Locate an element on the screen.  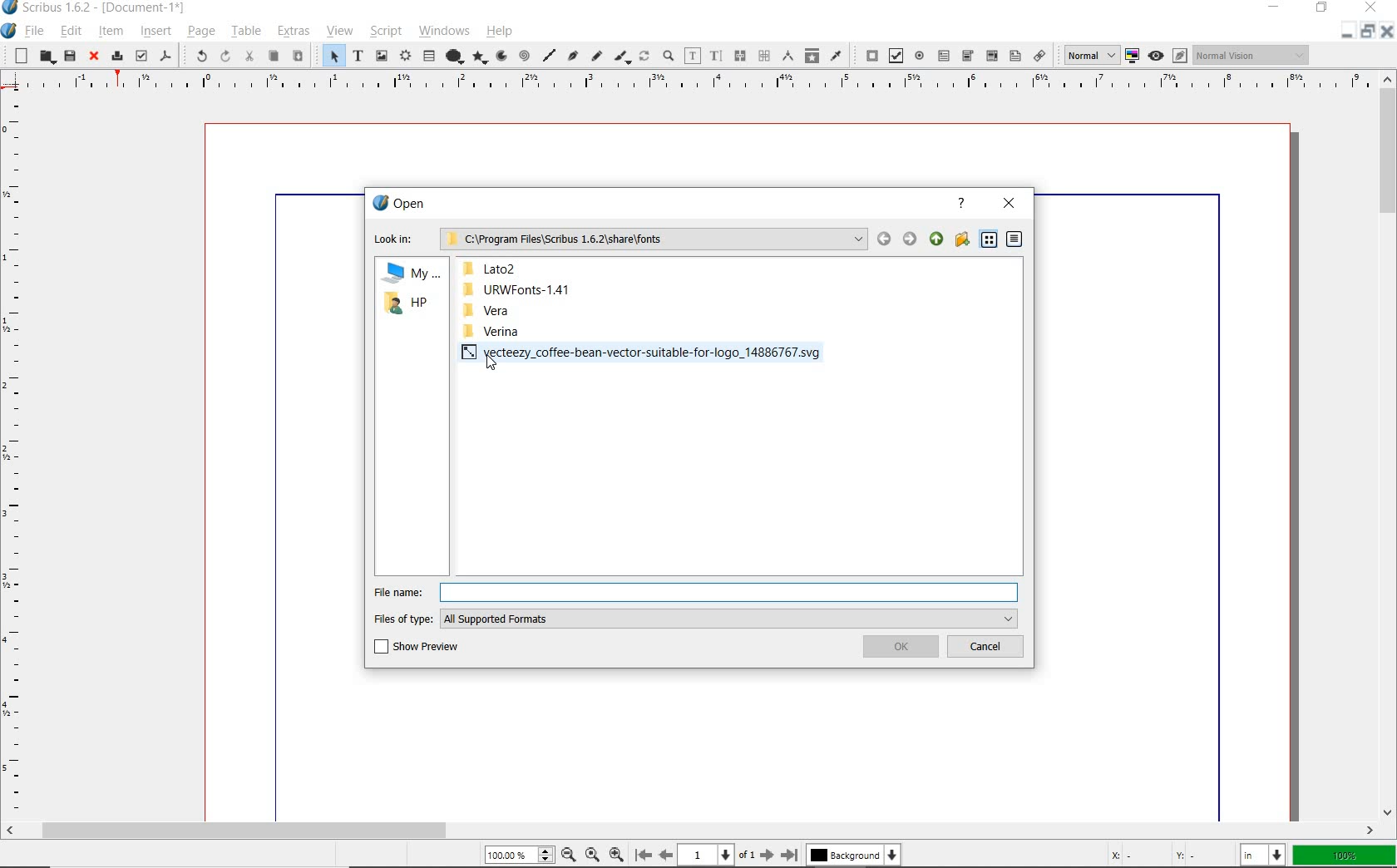
Close is located at coordinates (1389, 31).